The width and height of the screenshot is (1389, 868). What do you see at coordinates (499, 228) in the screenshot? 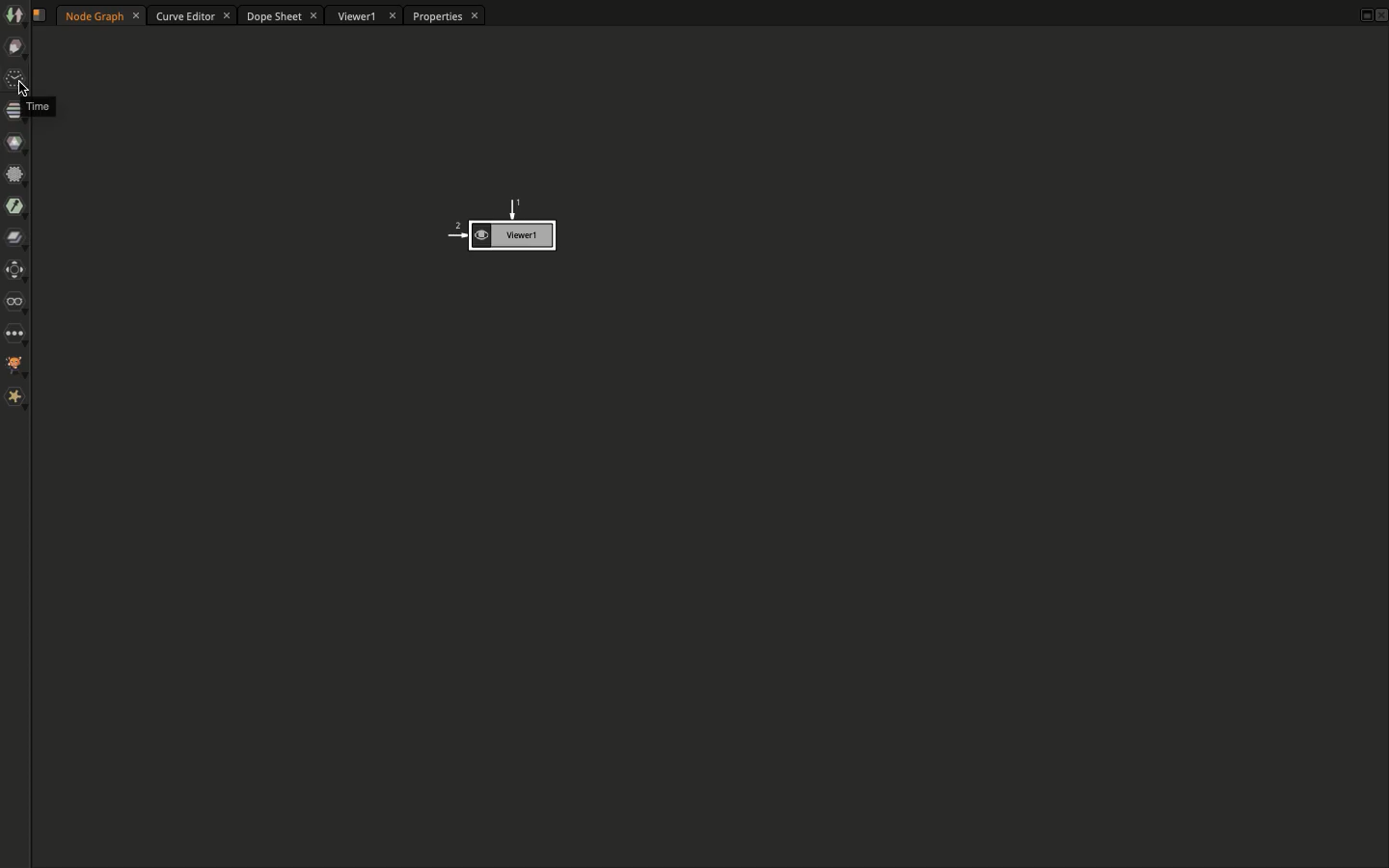
I see `Viewer node` at bounding box center [499, 228].